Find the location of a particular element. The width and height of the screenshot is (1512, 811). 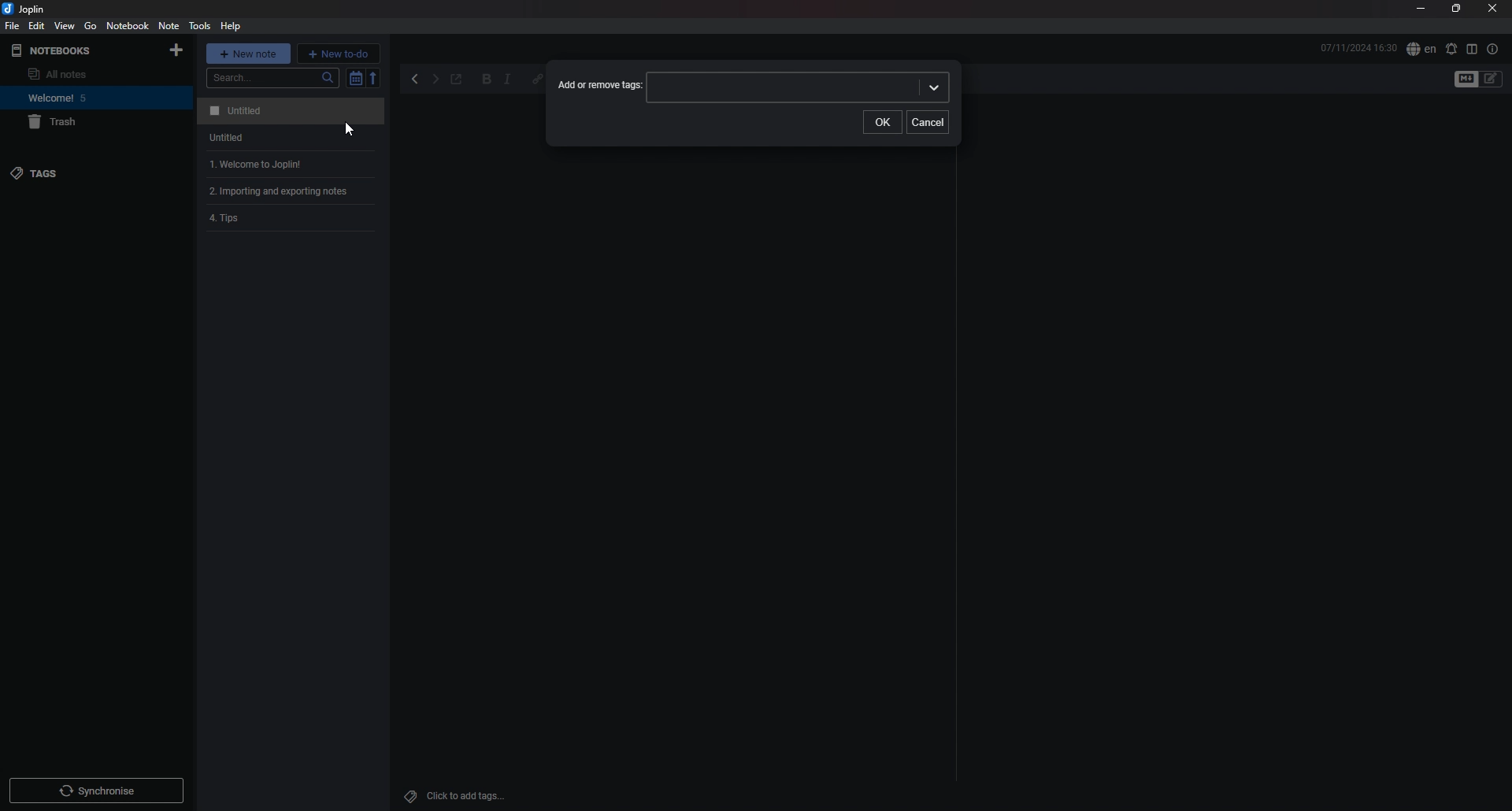

trash is located at coordinates (83, 123).